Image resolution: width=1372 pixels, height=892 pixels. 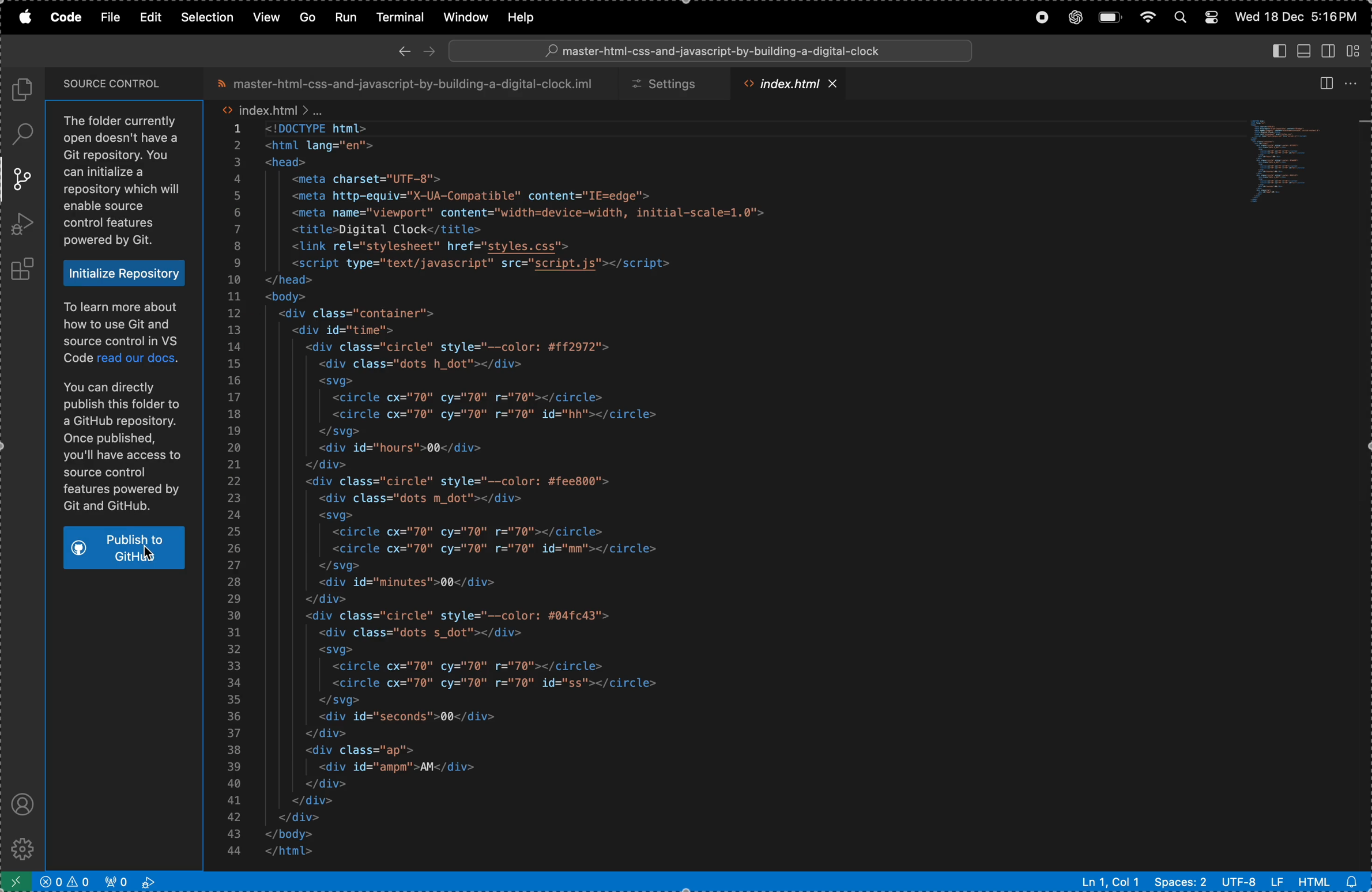 What do you see at coordinates (265, 16) in the screenshot?
I see `view` at bounding box center [265, 16].